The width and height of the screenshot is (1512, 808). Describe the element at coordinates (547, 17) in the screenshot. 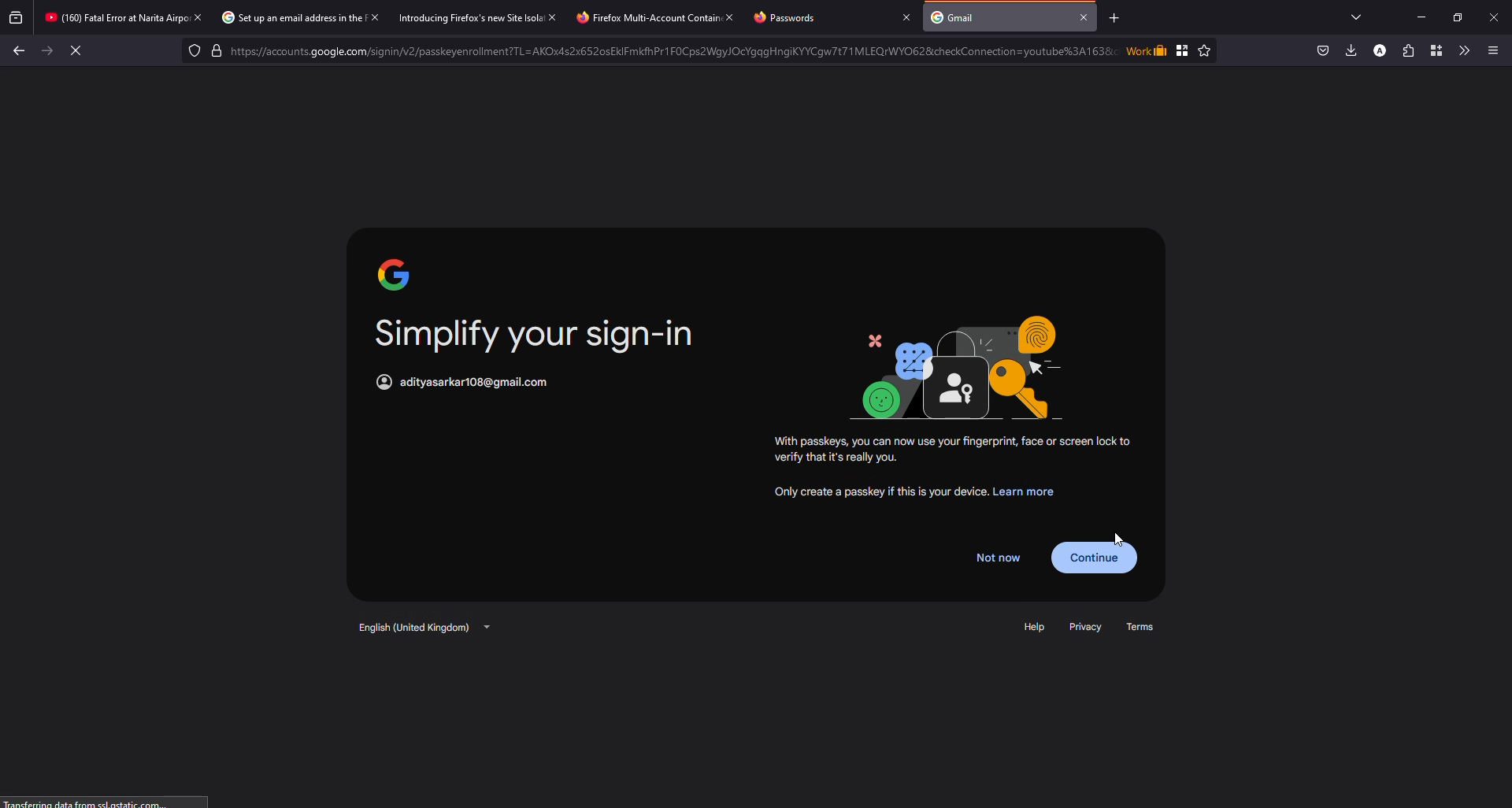

I see `close` at that location.